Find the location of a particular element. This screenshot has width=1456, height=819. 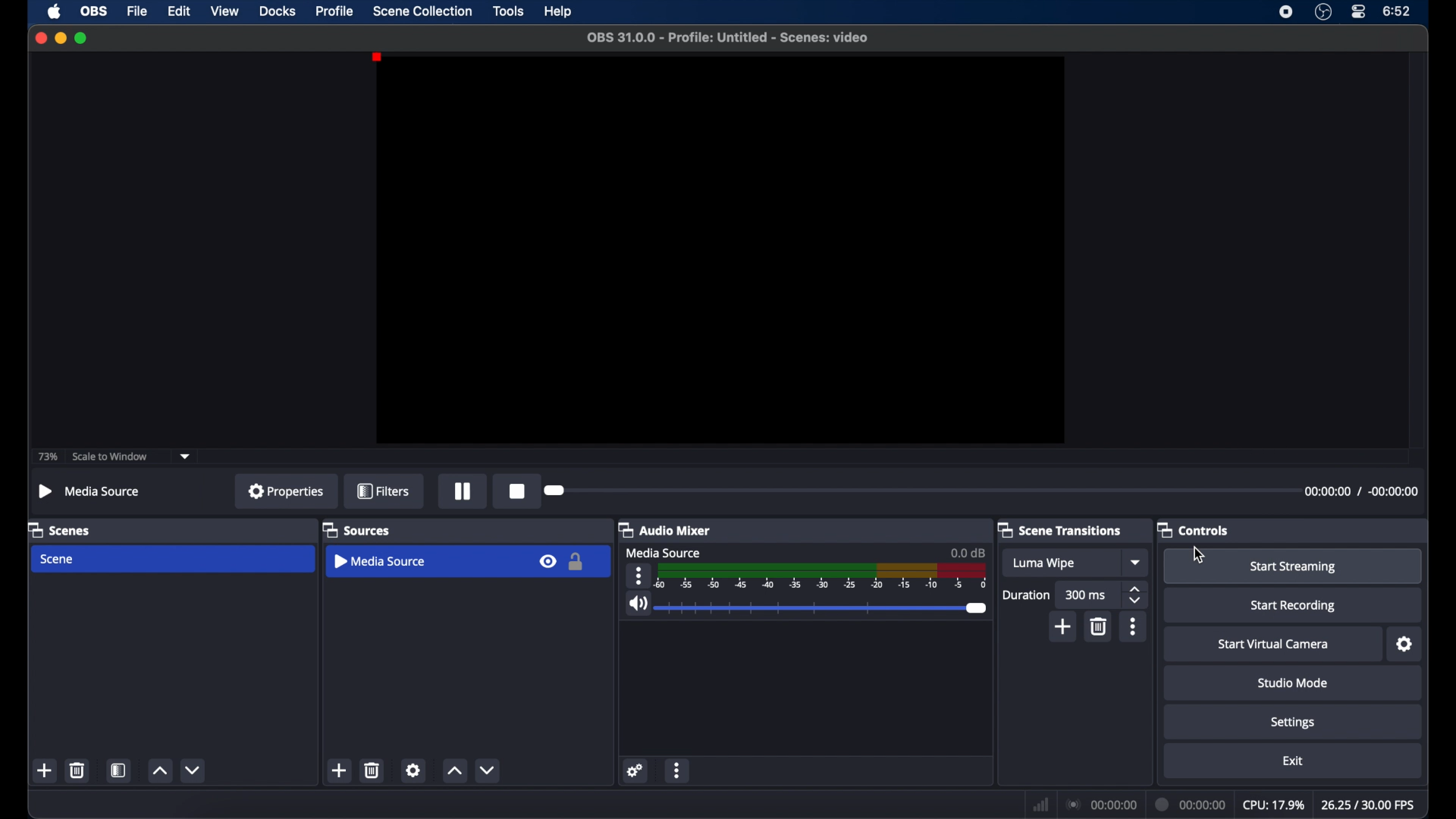

delete is located at coordinates (77, 770).